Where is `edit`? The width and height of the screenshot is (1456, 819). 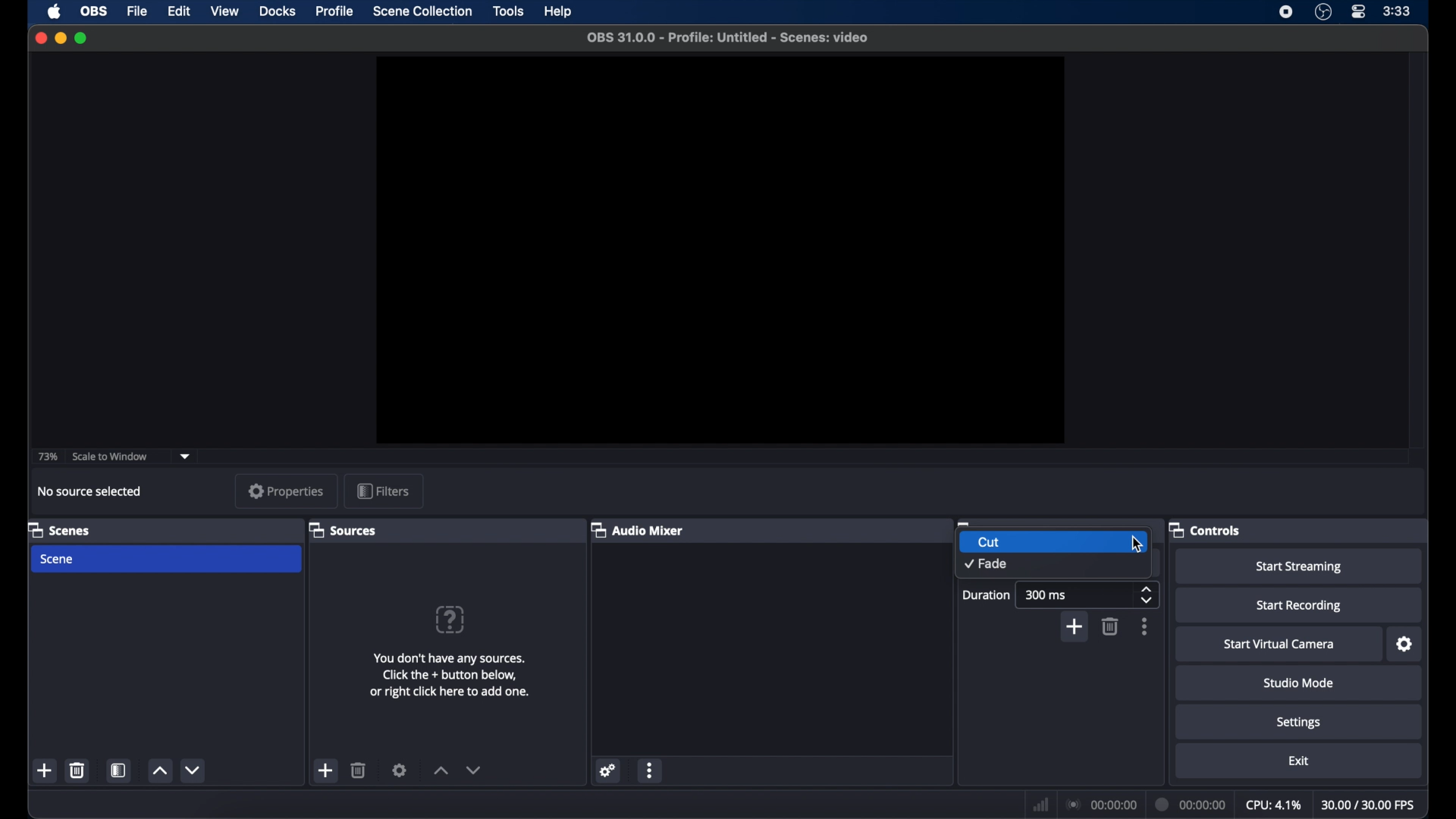
edit is located at coordinates (180, 11).